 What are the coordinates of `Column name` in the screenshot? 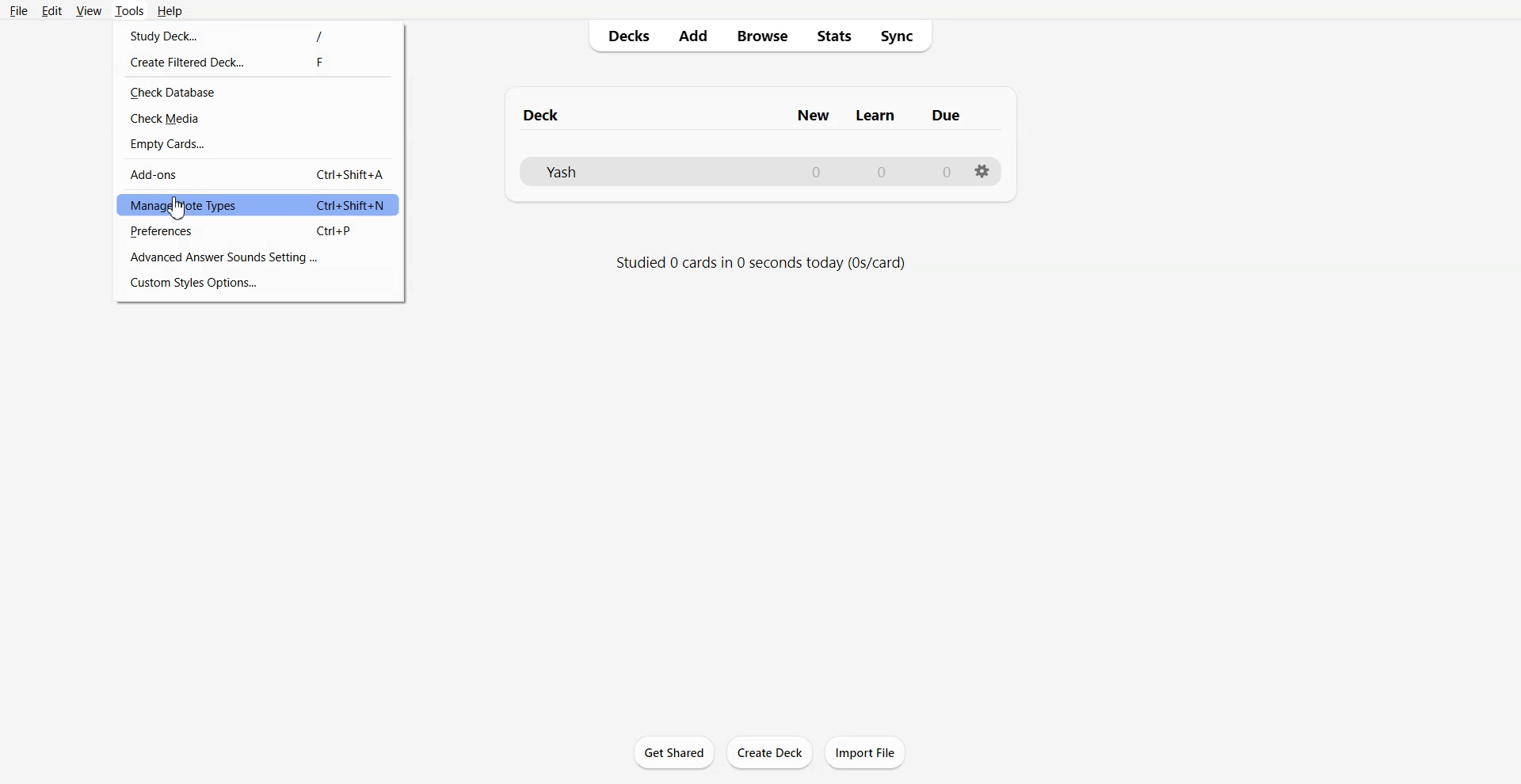 It's located at (875, 116).